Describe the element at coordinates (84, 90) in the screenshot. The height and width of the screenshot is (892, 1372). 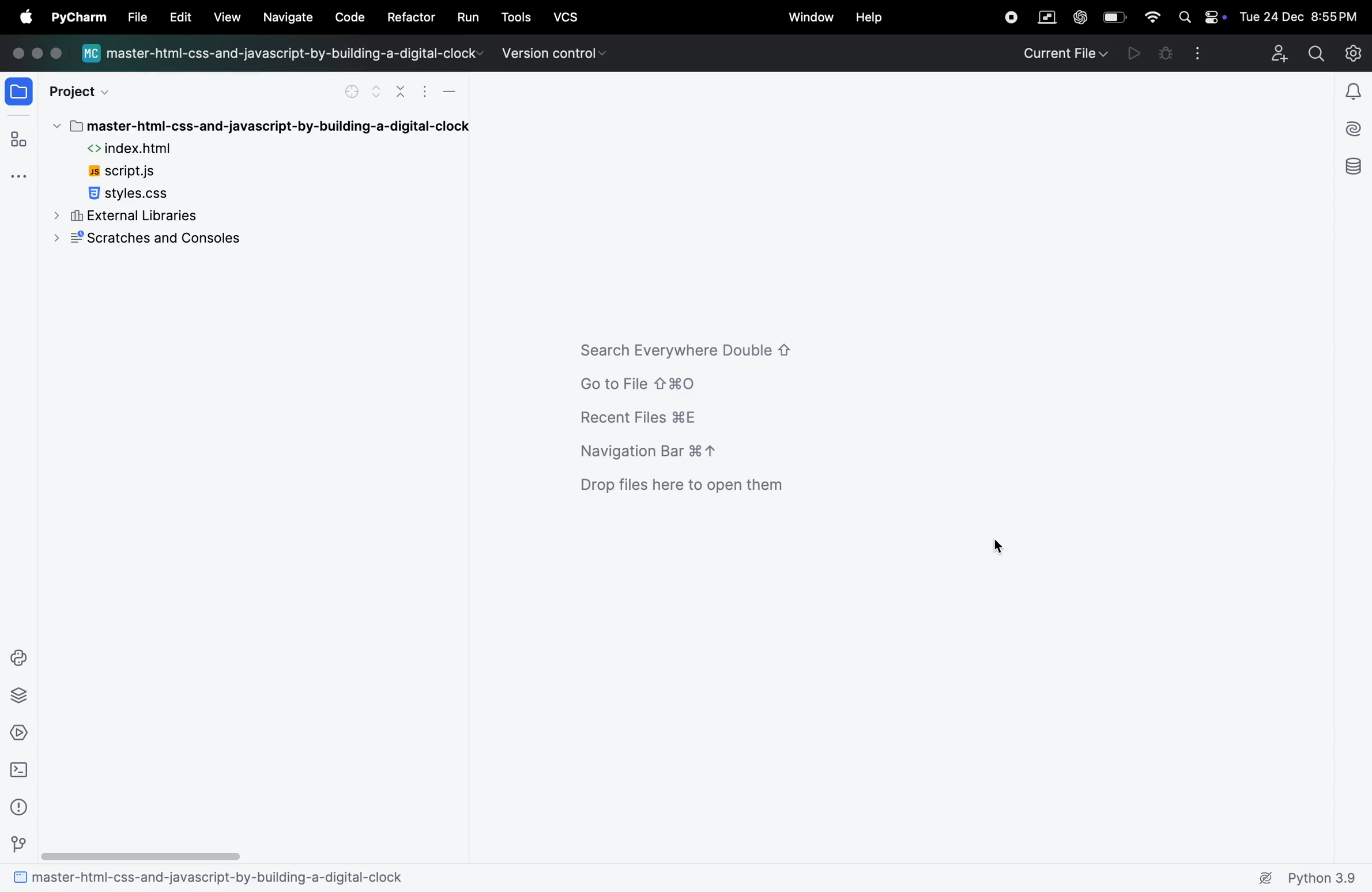
I see `project` at that location.